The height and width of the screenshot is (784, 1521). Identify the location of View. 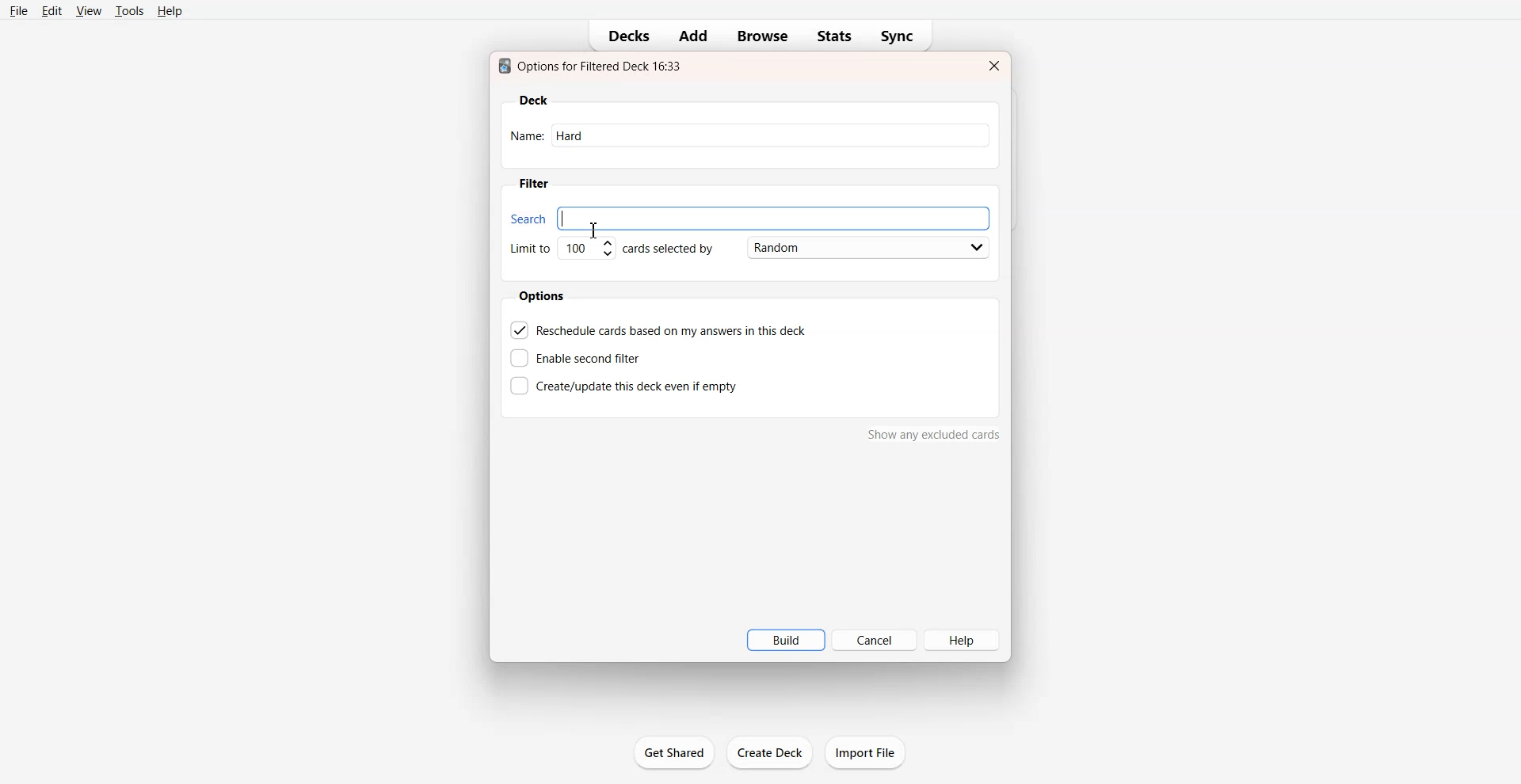
(89, 10).